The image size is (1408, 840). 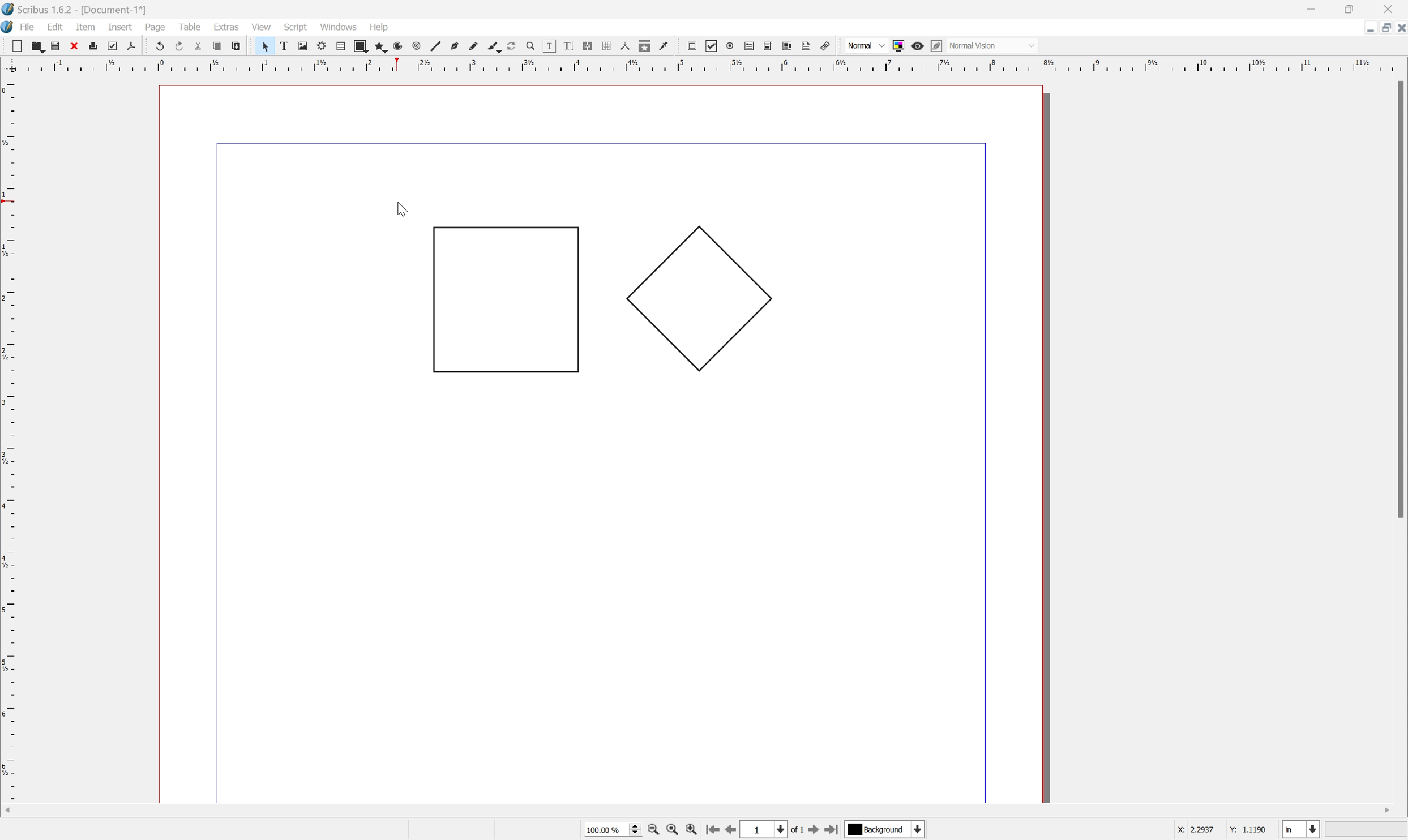 What do you see at coordinates (917, 46) in the screenshot?
I see `Preview mode` at bounding box center [917, 46].